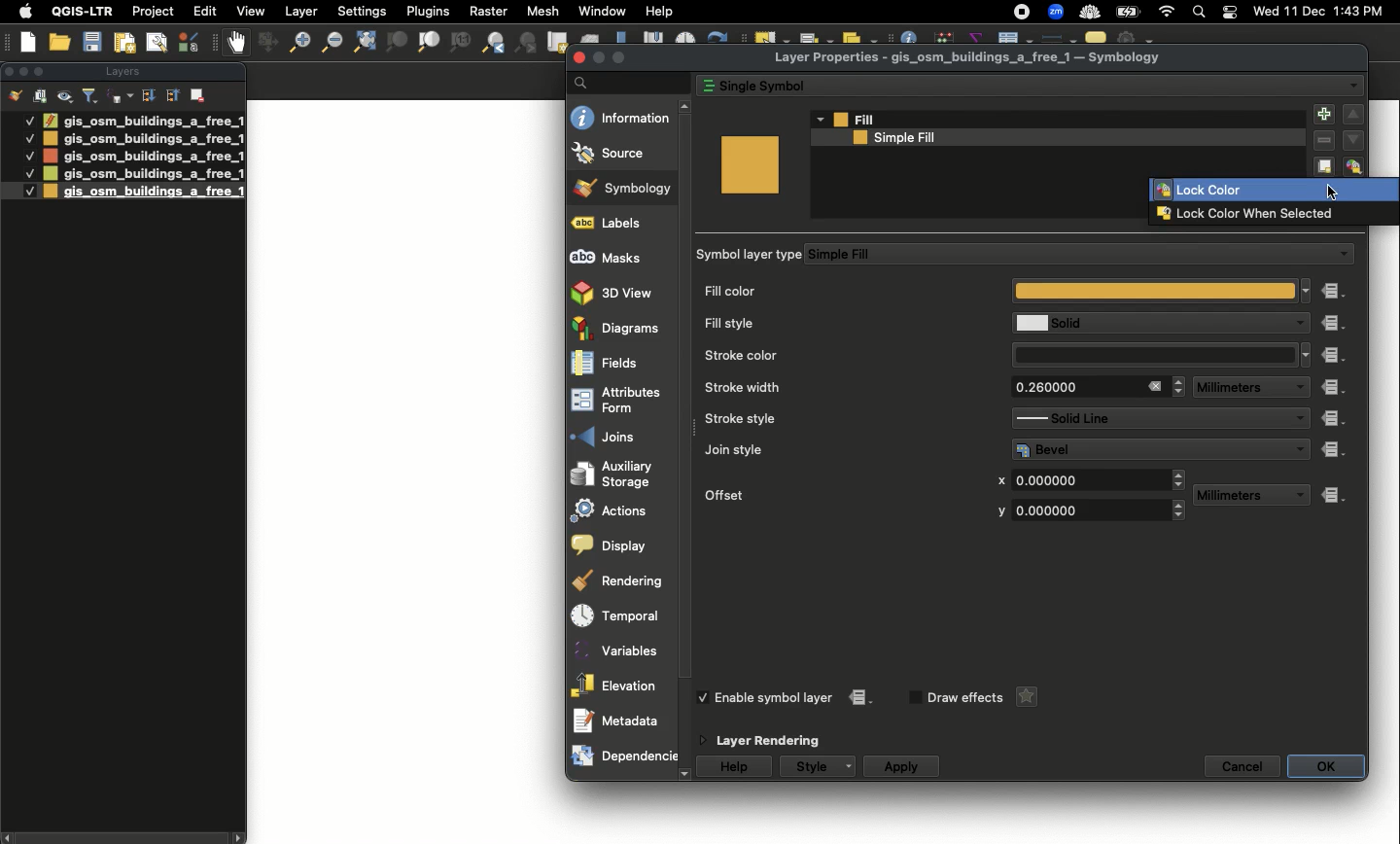 The height and width of the screenshot is (844, 1400). What do you see at coordinates (364, 12) in the screenshot?
I see `Settings` at bounding box center [364, 12].